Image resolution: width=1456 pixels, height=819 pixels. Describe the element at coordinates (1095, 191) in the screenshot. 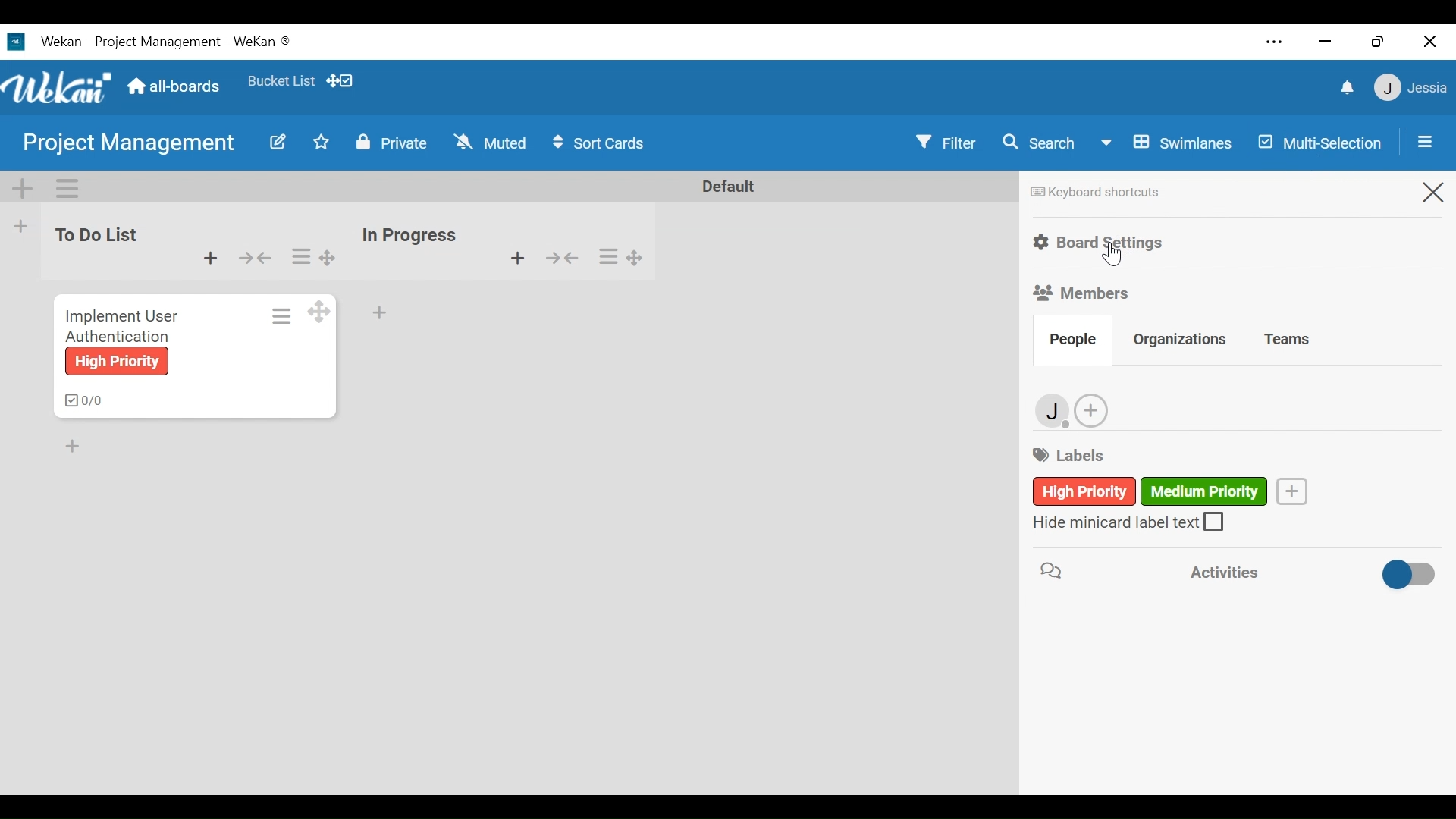

I see `Keyboard shortcut` at that location.